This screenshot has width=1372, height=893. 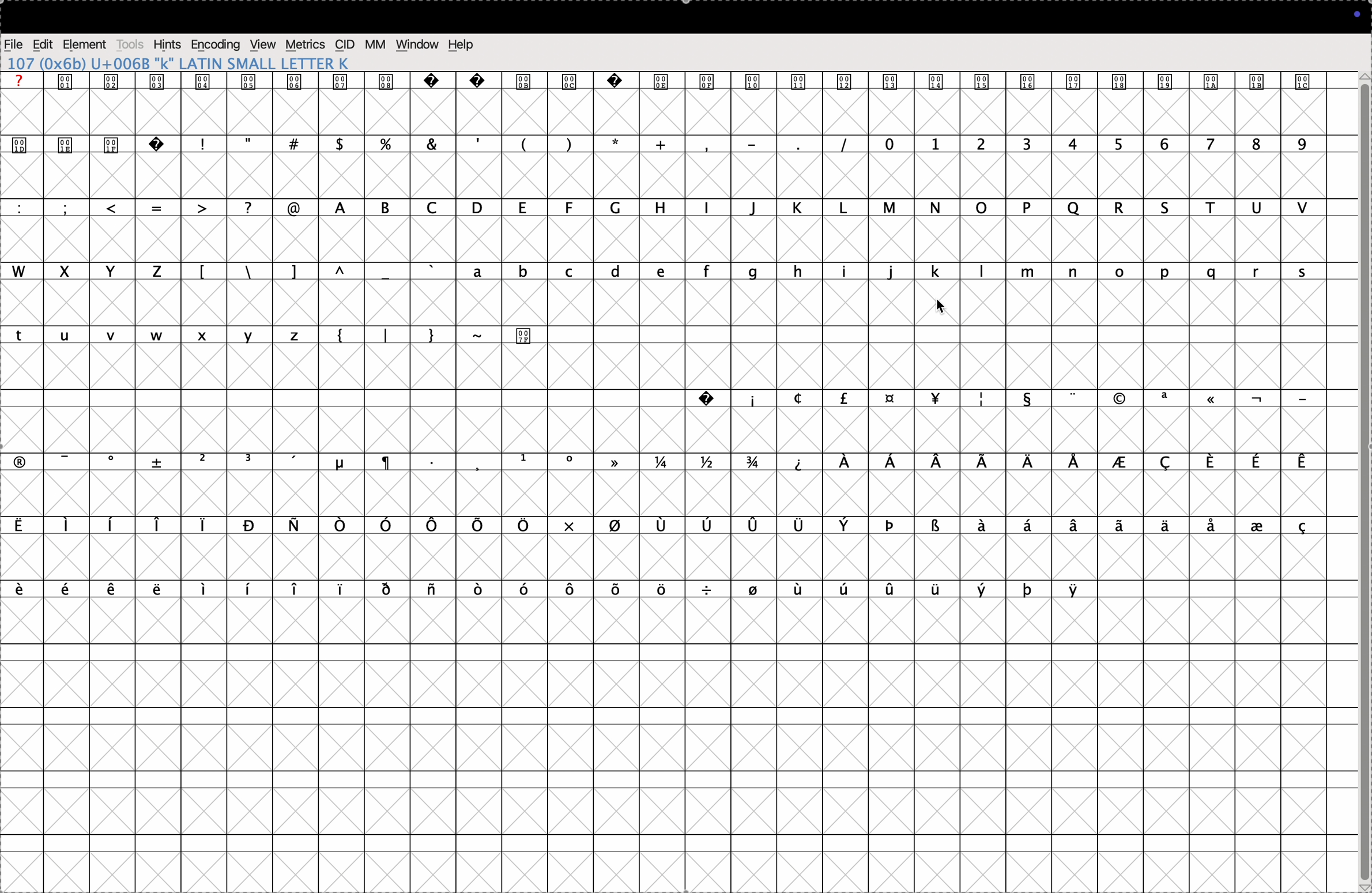 I want to click on Cursor, so click(x=942, y=307).